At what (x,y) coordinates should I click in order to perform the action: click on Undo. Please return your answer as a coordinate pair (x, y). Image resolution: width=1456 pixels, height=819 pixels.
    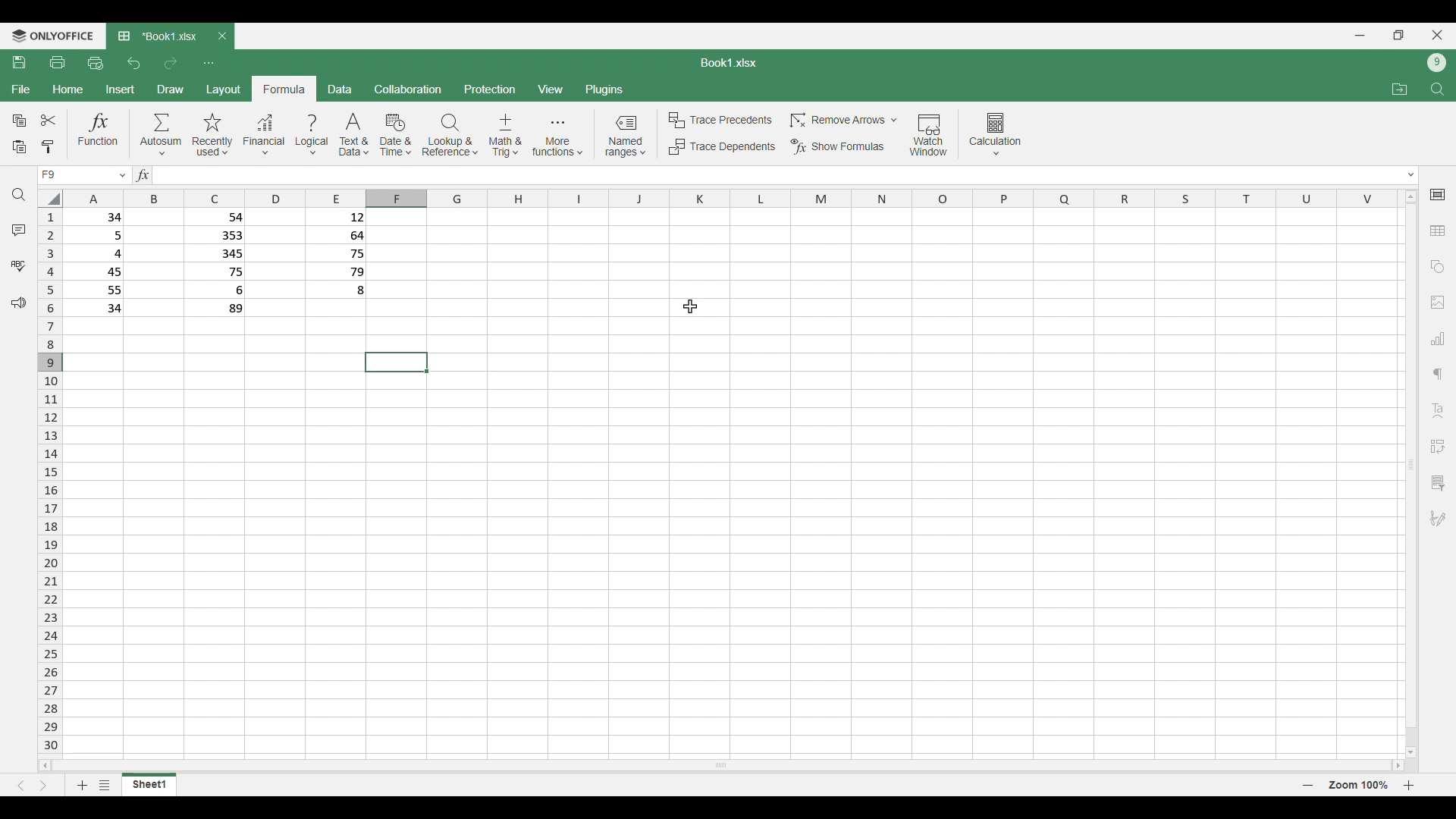
    Looking at the image, I should click on (135, 63).